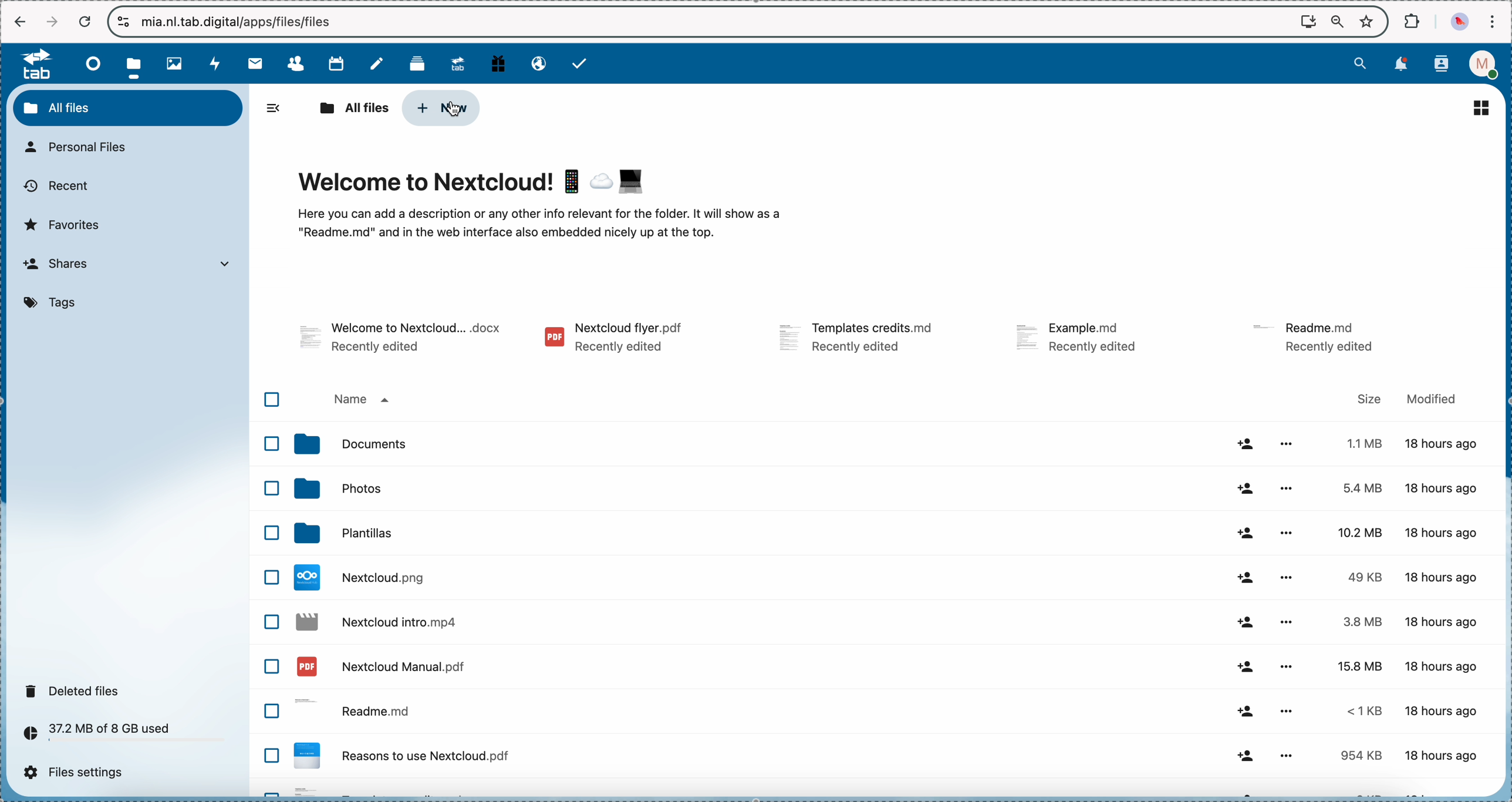 This screenshot has height=802, width=1512. What do you see at coordinates (1247, 622) in the screenshot?
I see `share` at bounding box center [1247, 622].